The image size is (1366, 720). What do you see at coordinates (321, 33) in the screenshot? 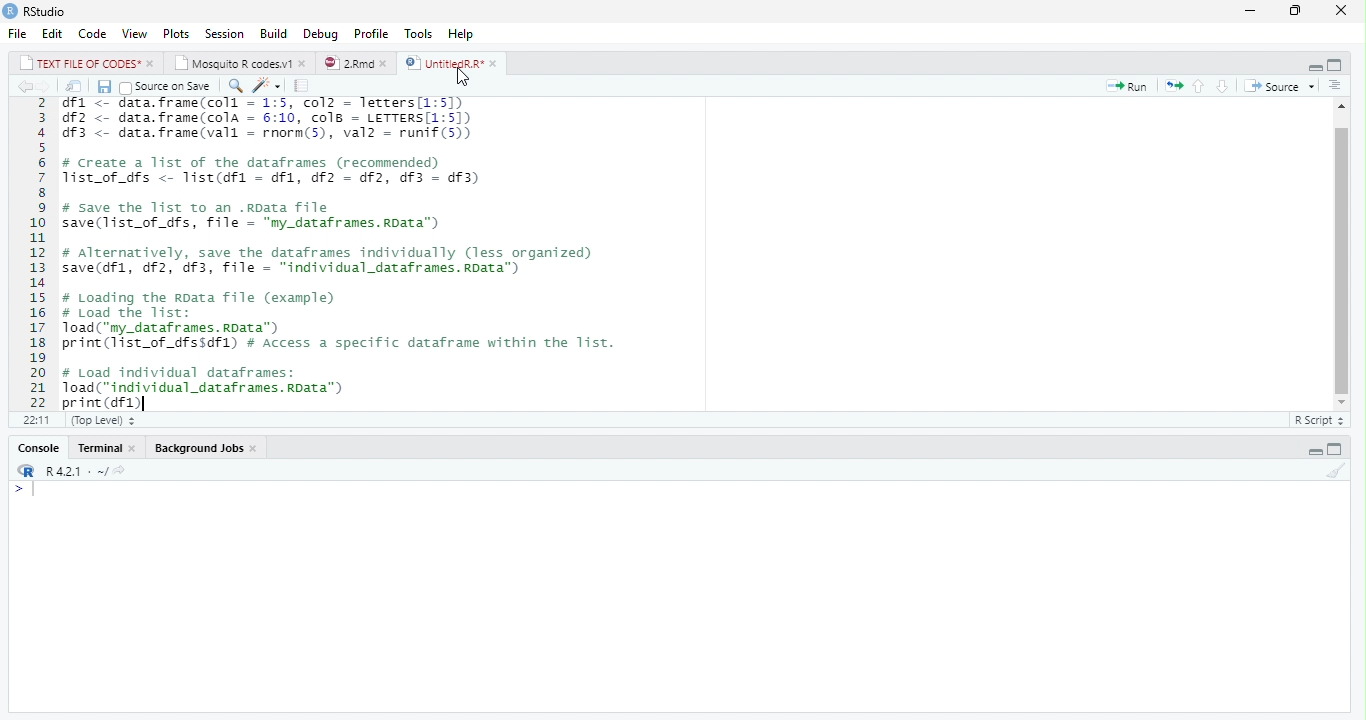
I see `Debug` at bounding box center [321, 33].